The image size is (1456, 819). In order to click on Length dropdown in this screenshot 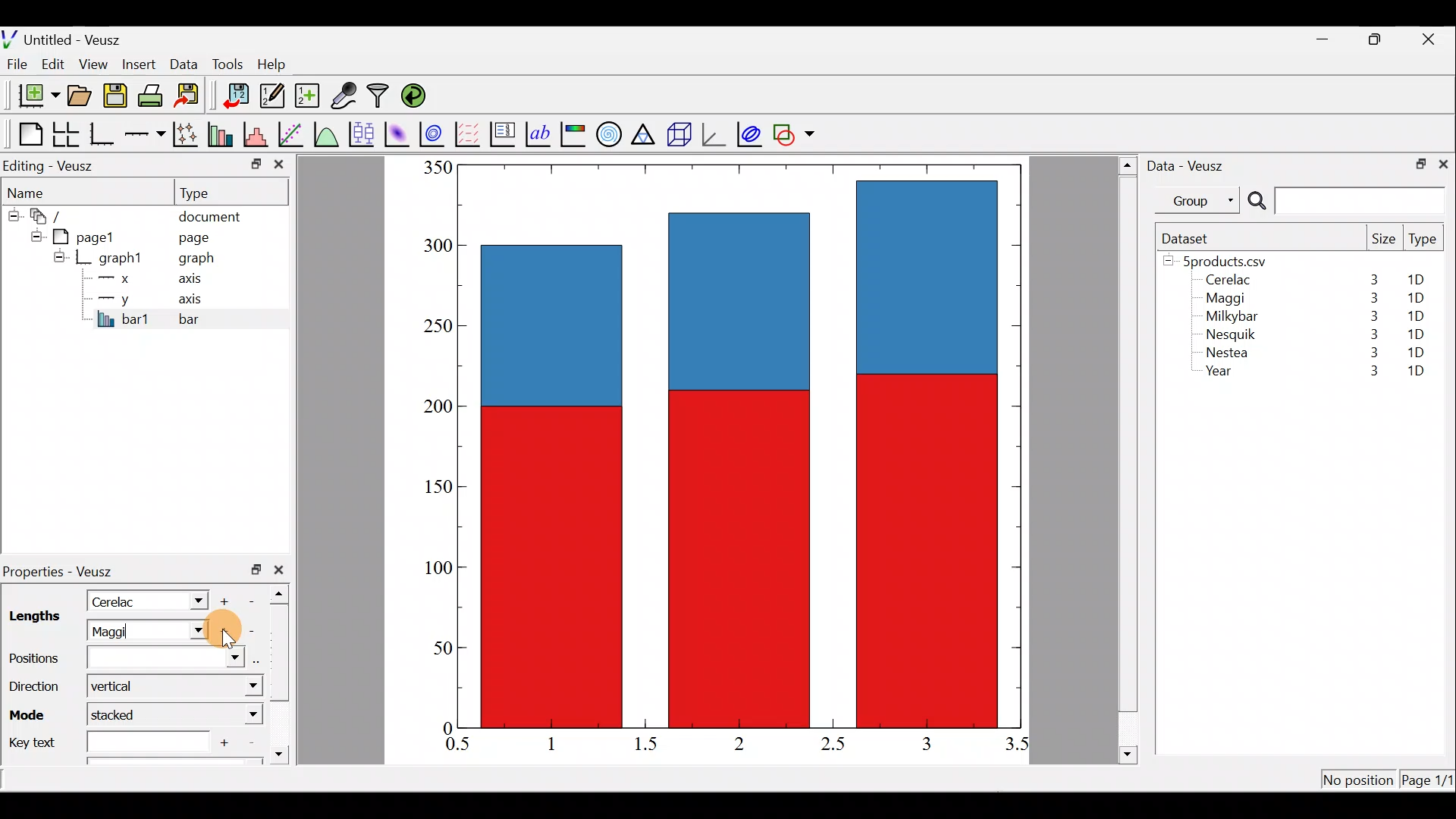, I will do `click(194, 631)`.